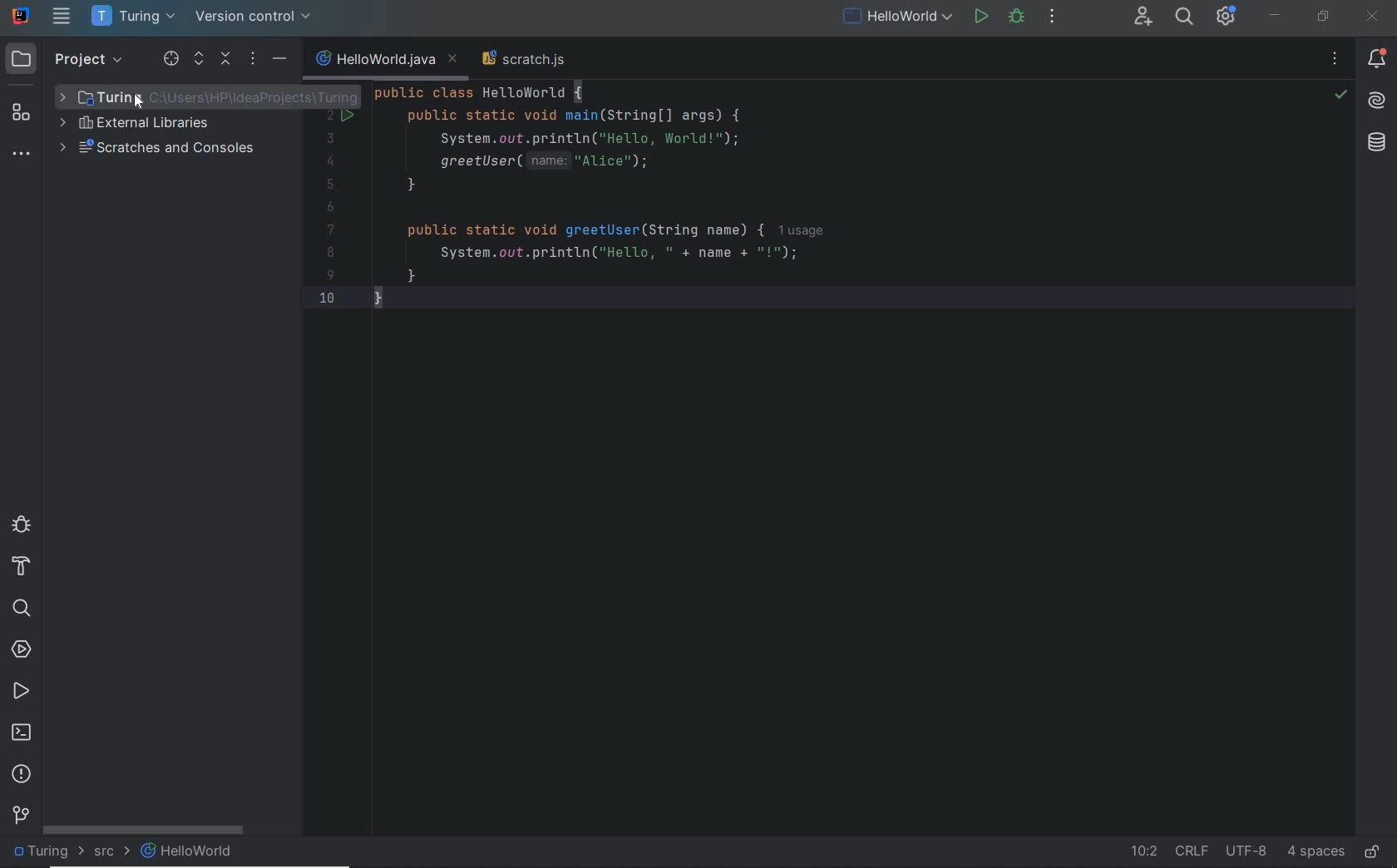 The width and height of the screenshot is (1397, 868). What do you see at coordinates (526, 57) in the screenshot?
I see `scratch file` at bounding box center [526, 57].